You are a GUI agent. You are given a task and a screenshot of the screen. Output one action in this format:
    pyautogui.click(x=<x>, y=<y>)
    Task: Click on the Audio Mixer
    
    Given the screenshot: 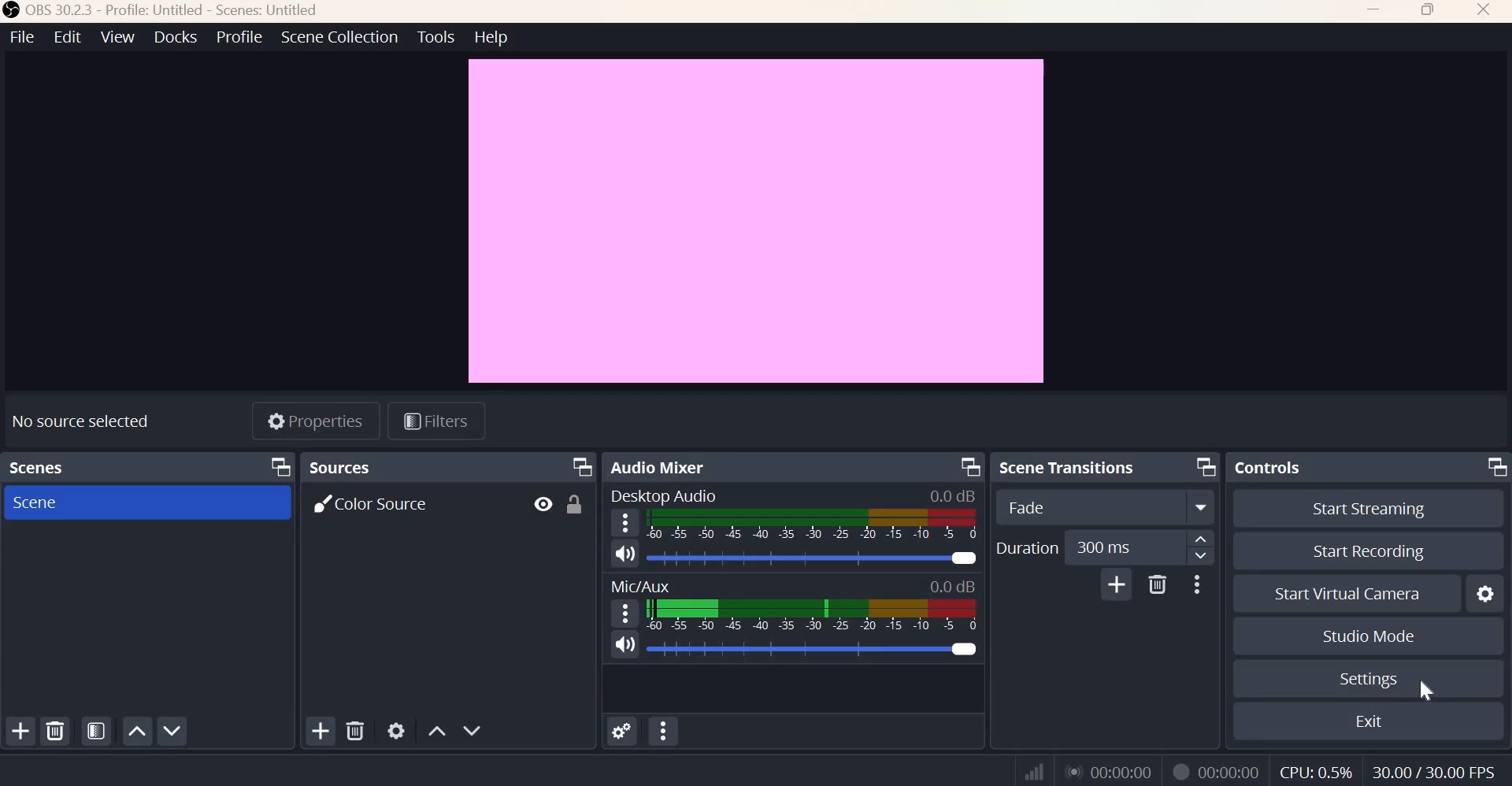 What is the action you would take?
    pyautogui.click(x=658, y=465)
    